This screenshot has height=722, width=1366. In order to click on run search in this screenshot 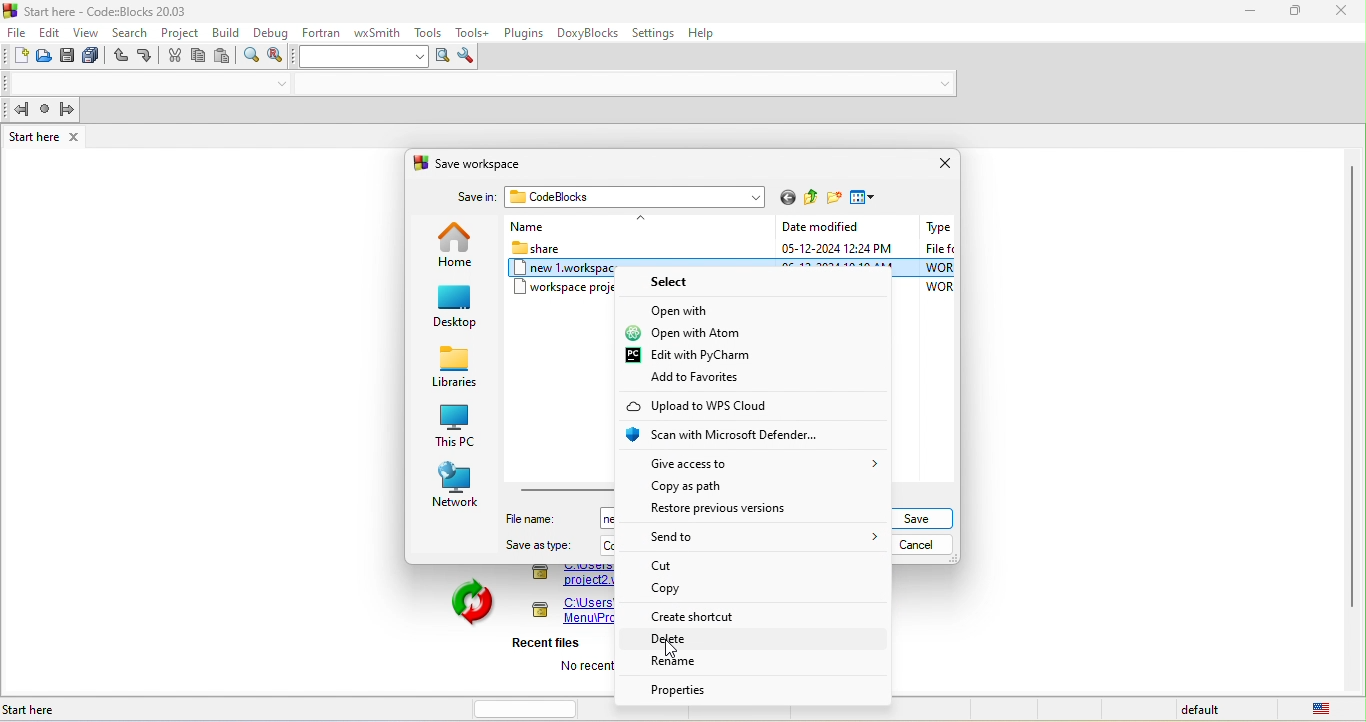, I will do `click(441, 57)`.